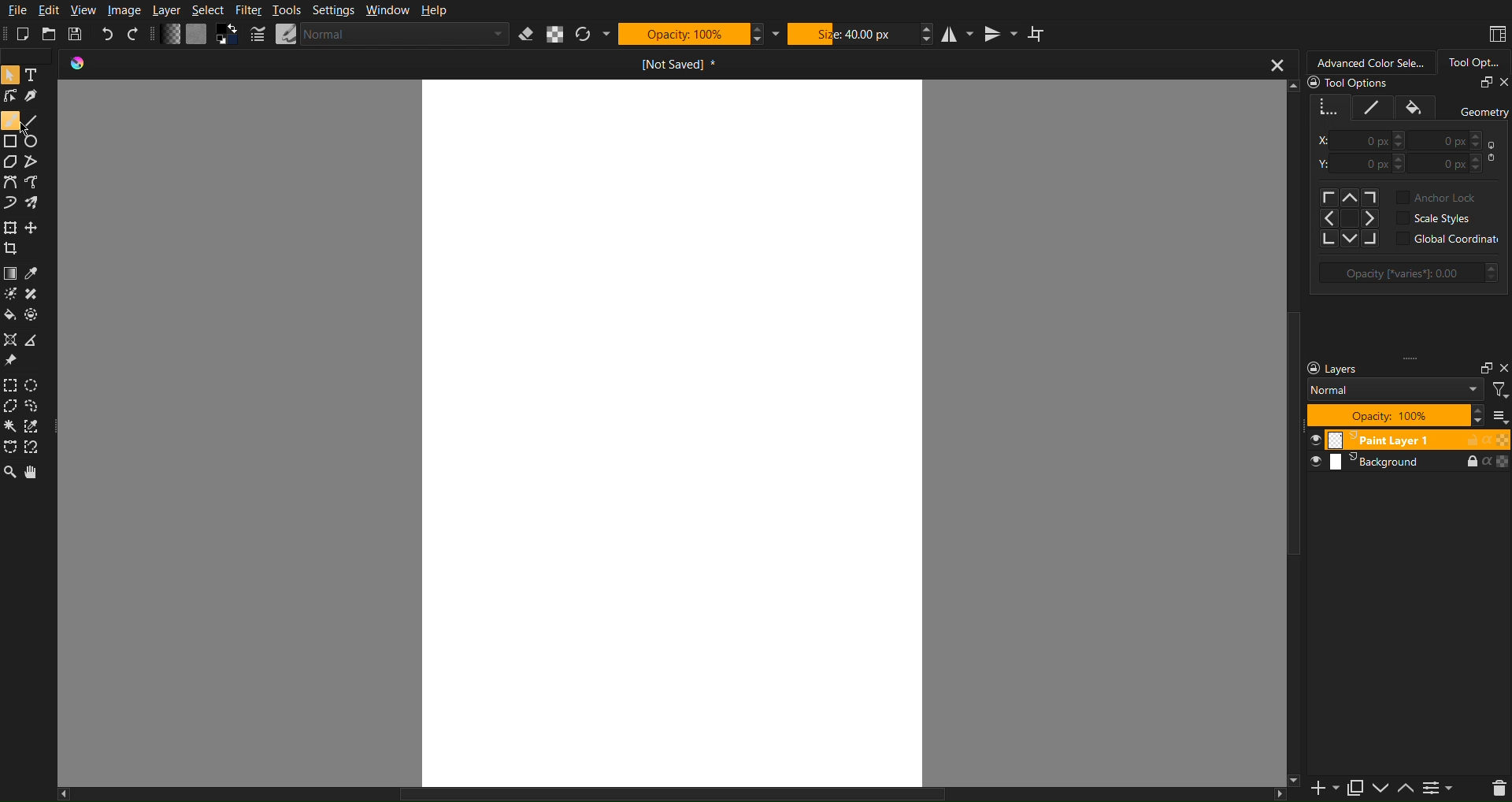 This screenshot has height=802, width=1512. Describe the element at coordinates (9, 291) in the screenshot. I see `Brush` at that location.